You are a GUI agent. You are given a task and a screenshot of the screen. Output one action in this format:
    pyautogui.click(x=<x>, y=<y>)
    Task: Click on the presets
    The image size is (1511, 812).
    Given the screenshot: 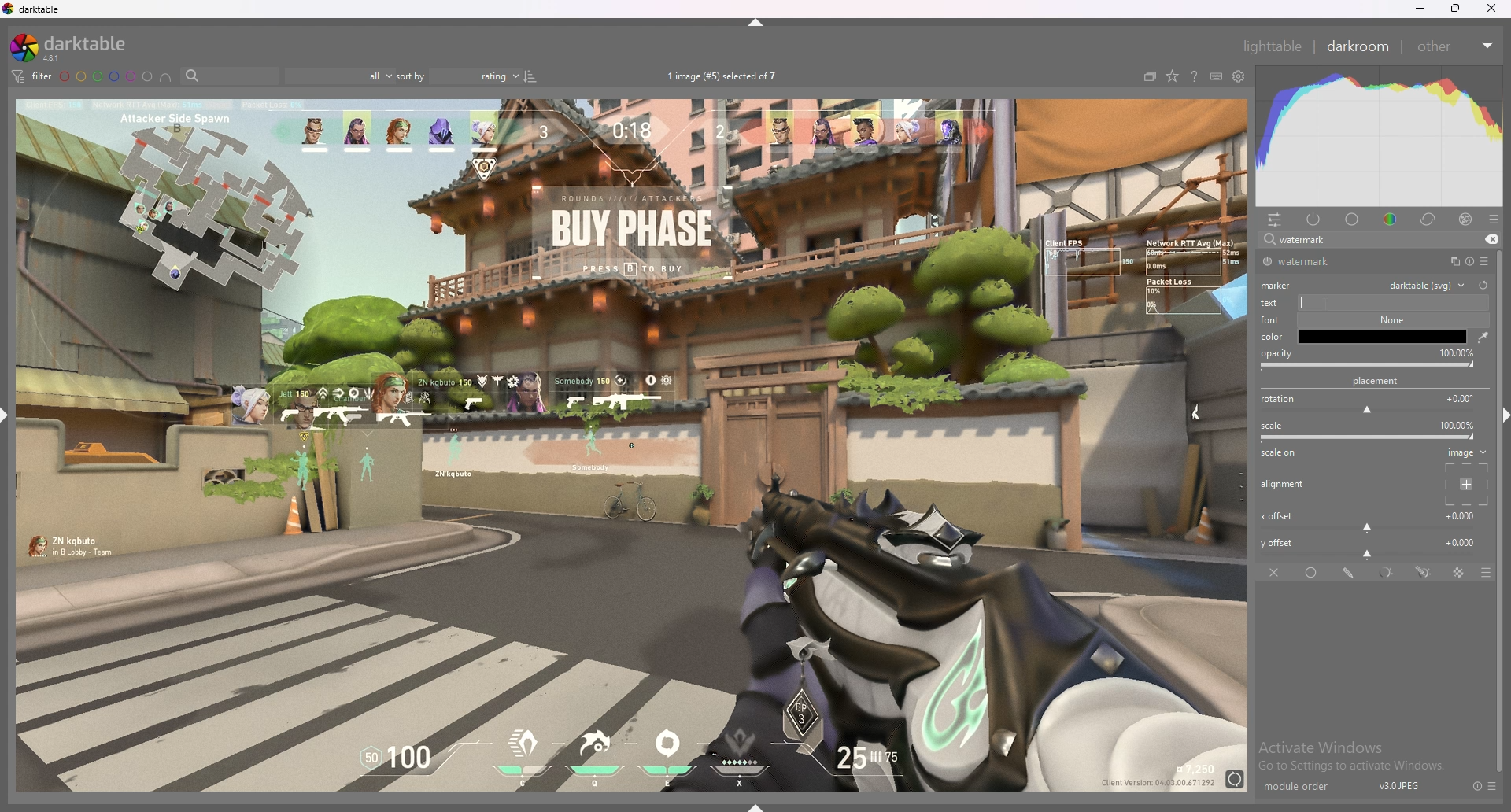 What is the action you would take?
    pyautogui.click(x=1494, y=220)
    